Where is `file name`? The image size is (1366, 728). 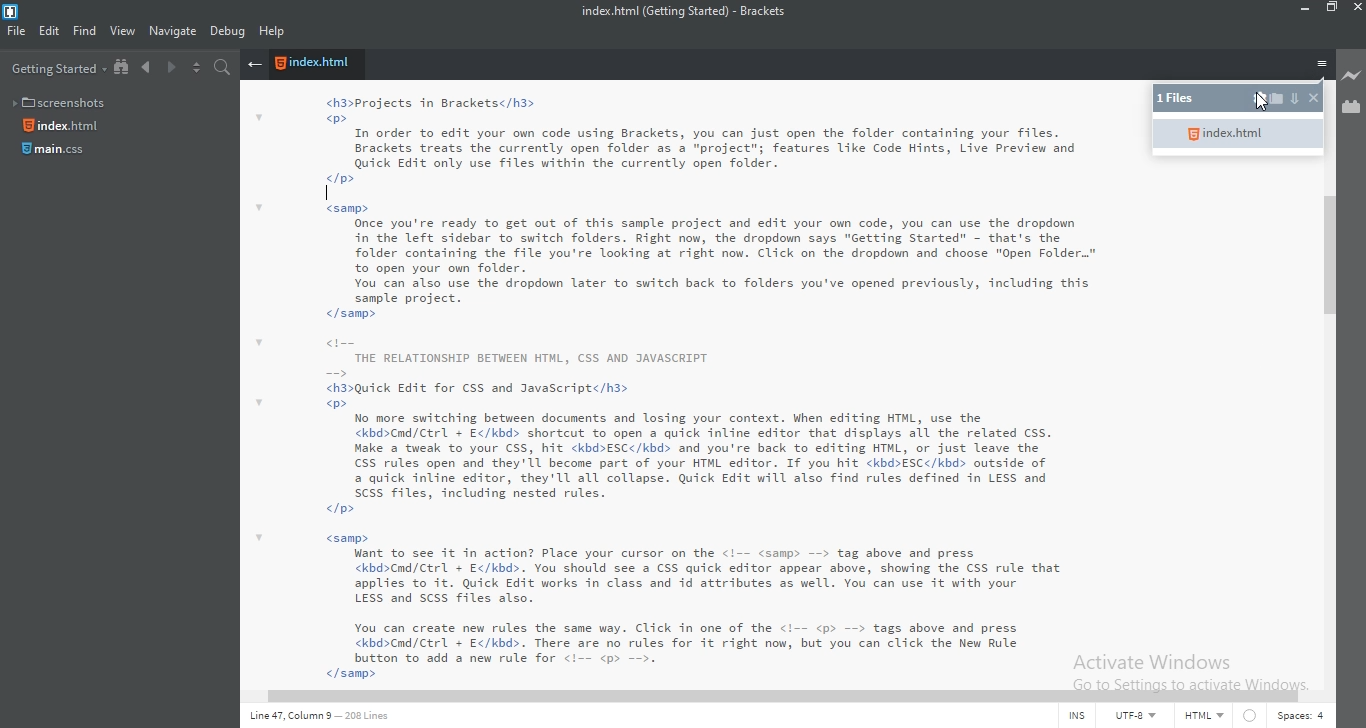
file name is located at coordinates (691, 12).